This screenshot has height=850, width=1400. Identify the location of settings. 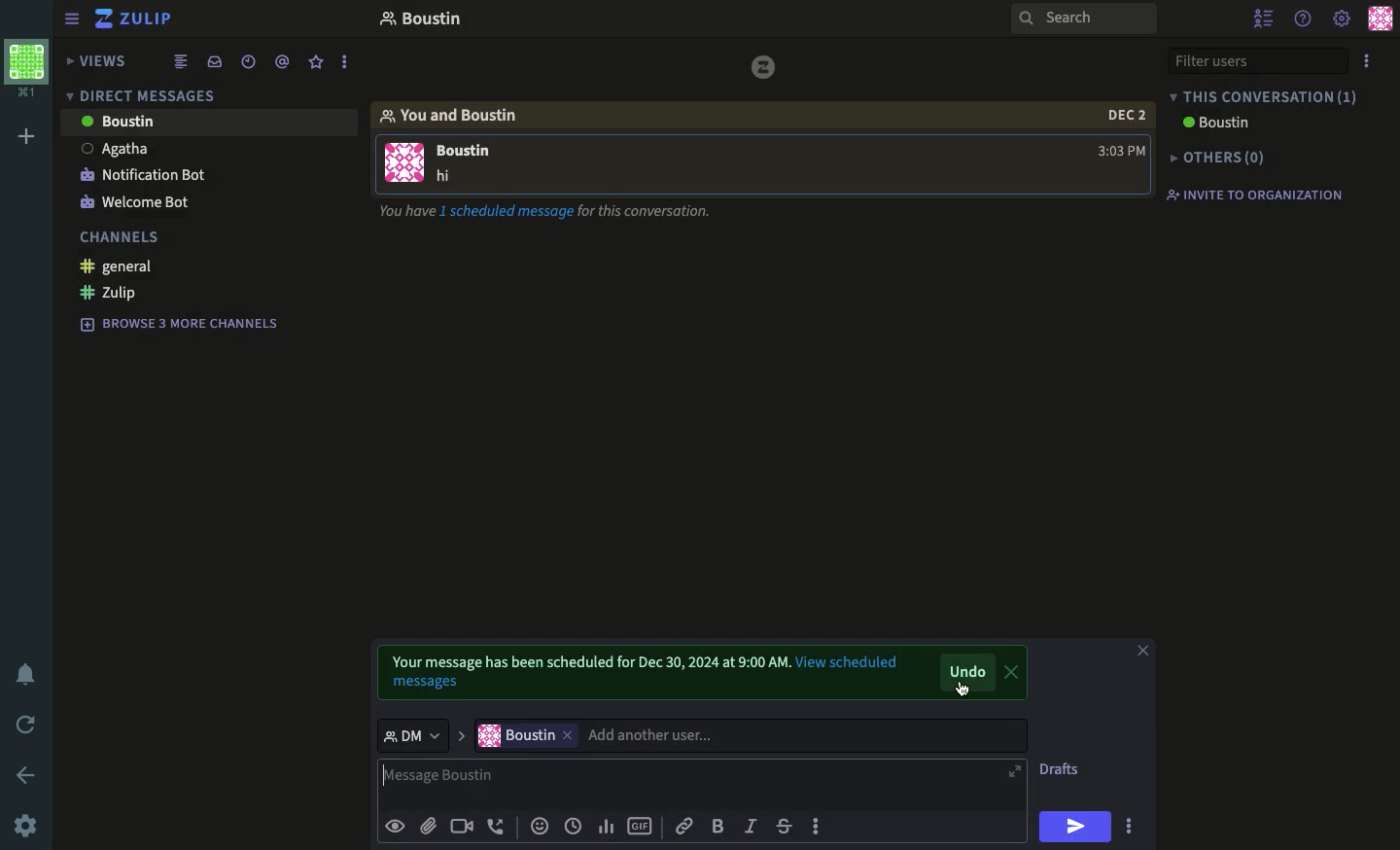
(1342, 19).